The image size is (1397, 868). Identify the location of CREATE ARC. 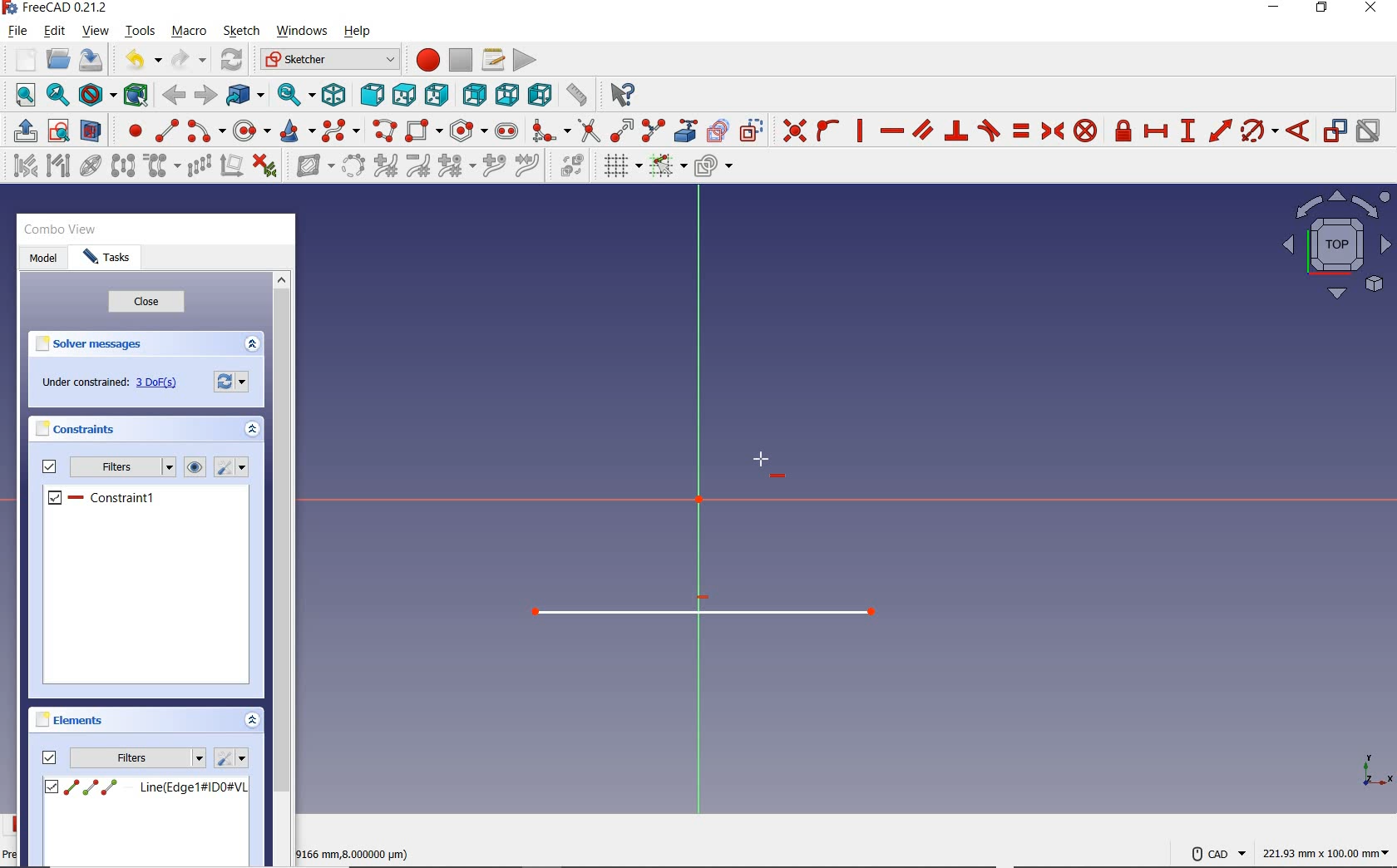
(206, 131).